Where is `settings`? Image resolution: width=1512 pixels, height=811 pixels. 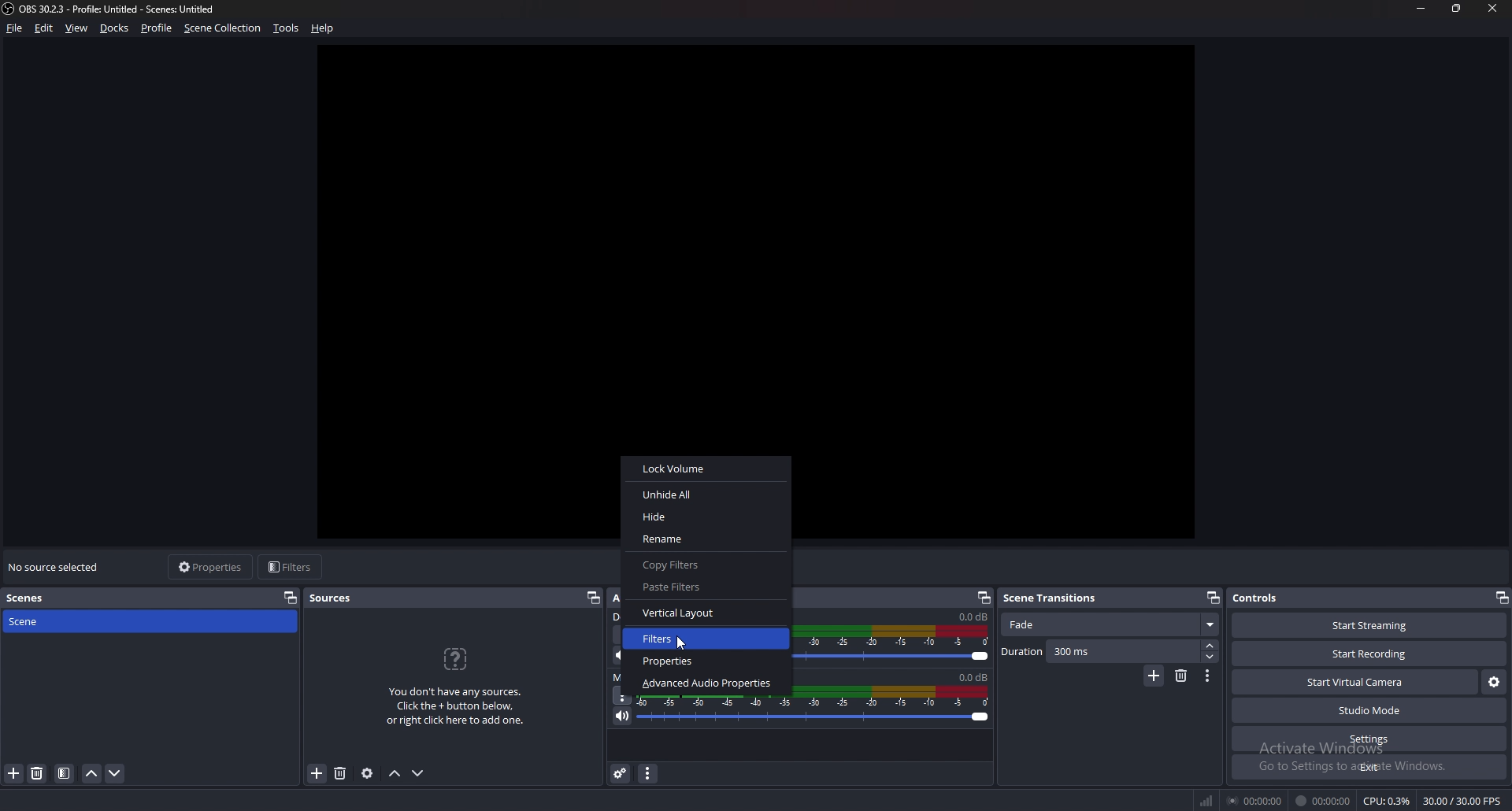 settings is located at coordinates (1369, 739).